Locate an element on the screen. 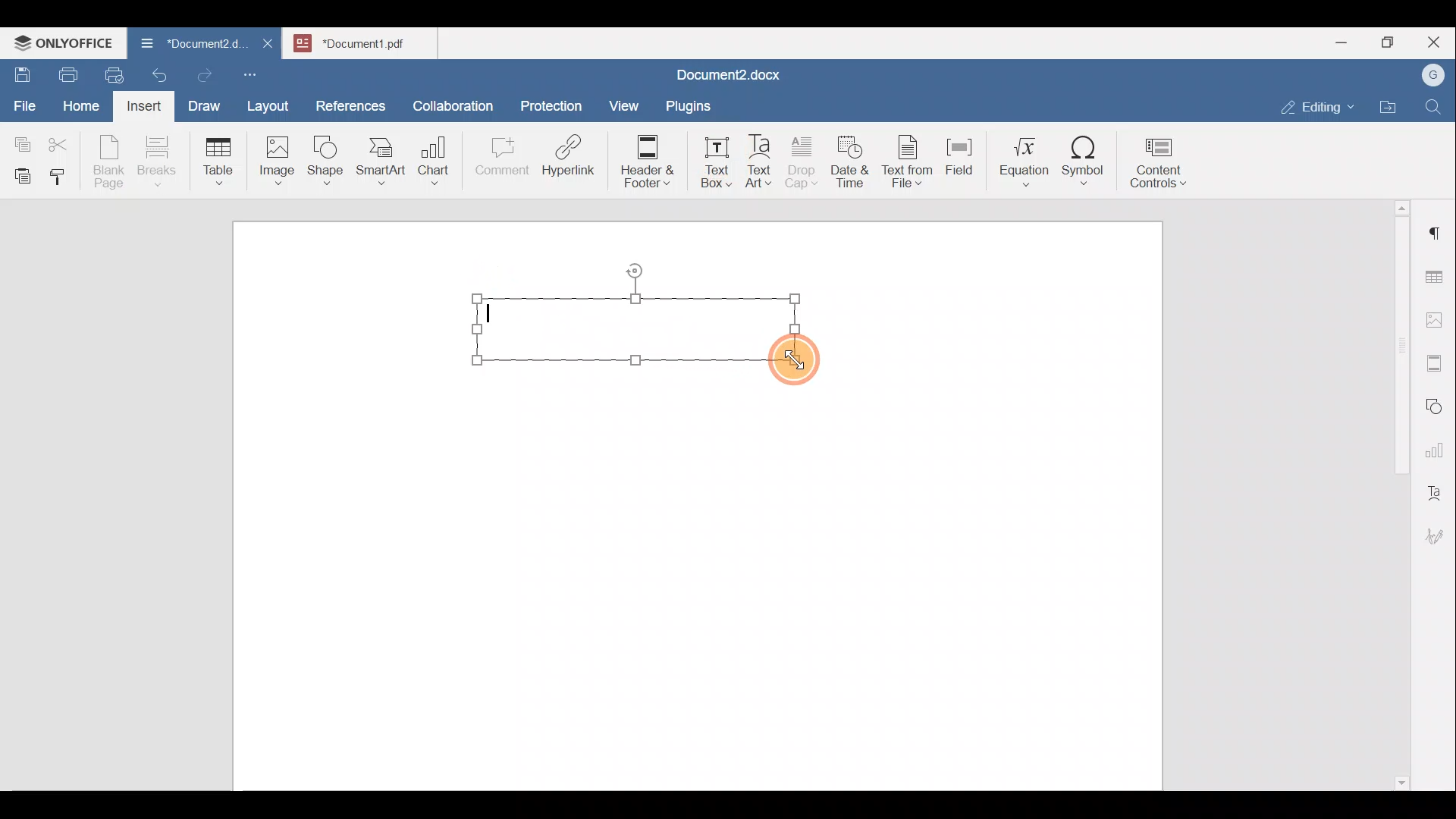 Image resolution: width=1456 pixels, height=819 pixels. Copy style is located at coordinates (63, 173).